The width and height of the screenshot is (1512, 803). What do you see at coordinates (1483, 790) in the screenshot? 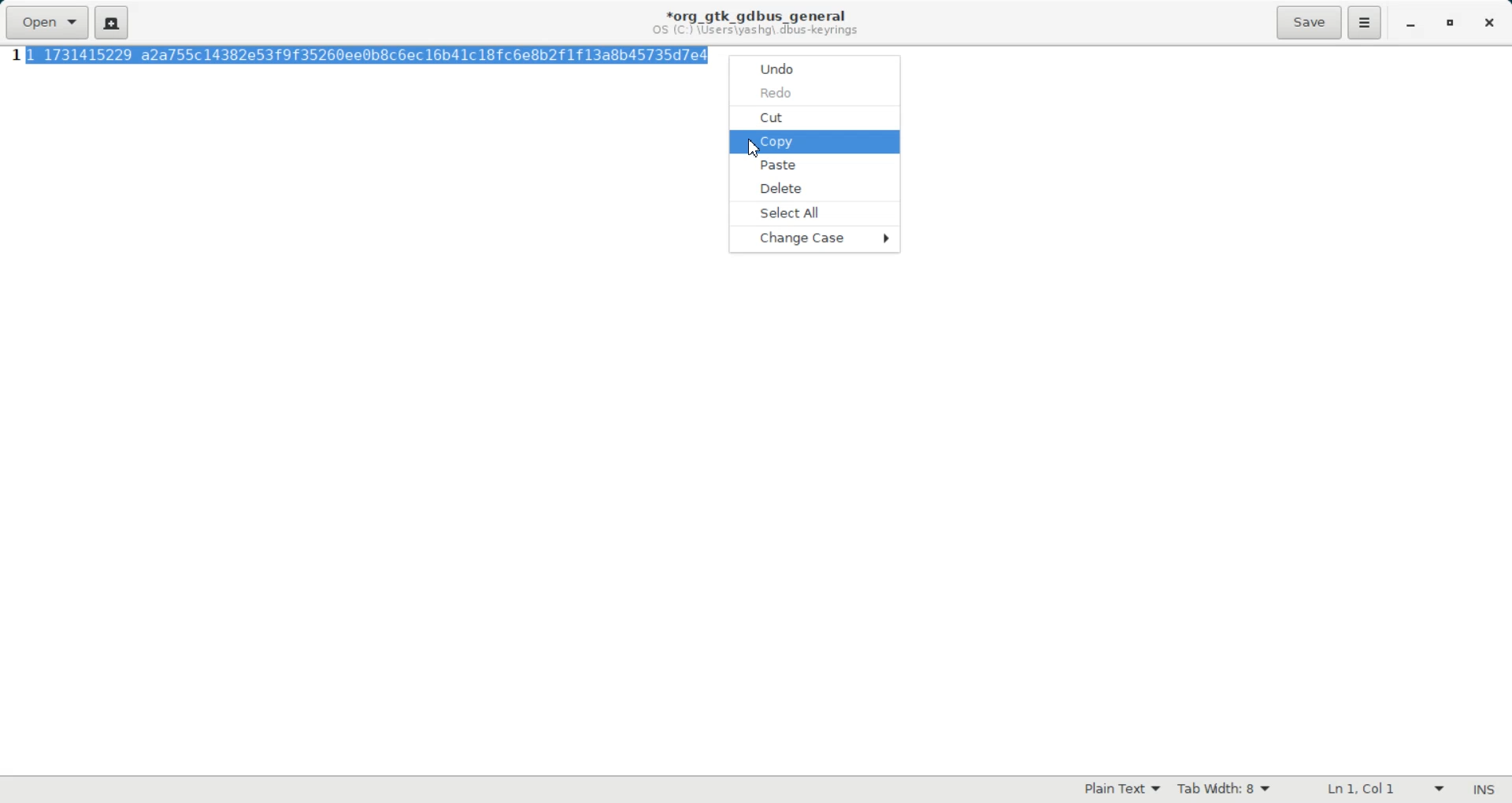
I see `Text` at bounding box center [1483, 790].